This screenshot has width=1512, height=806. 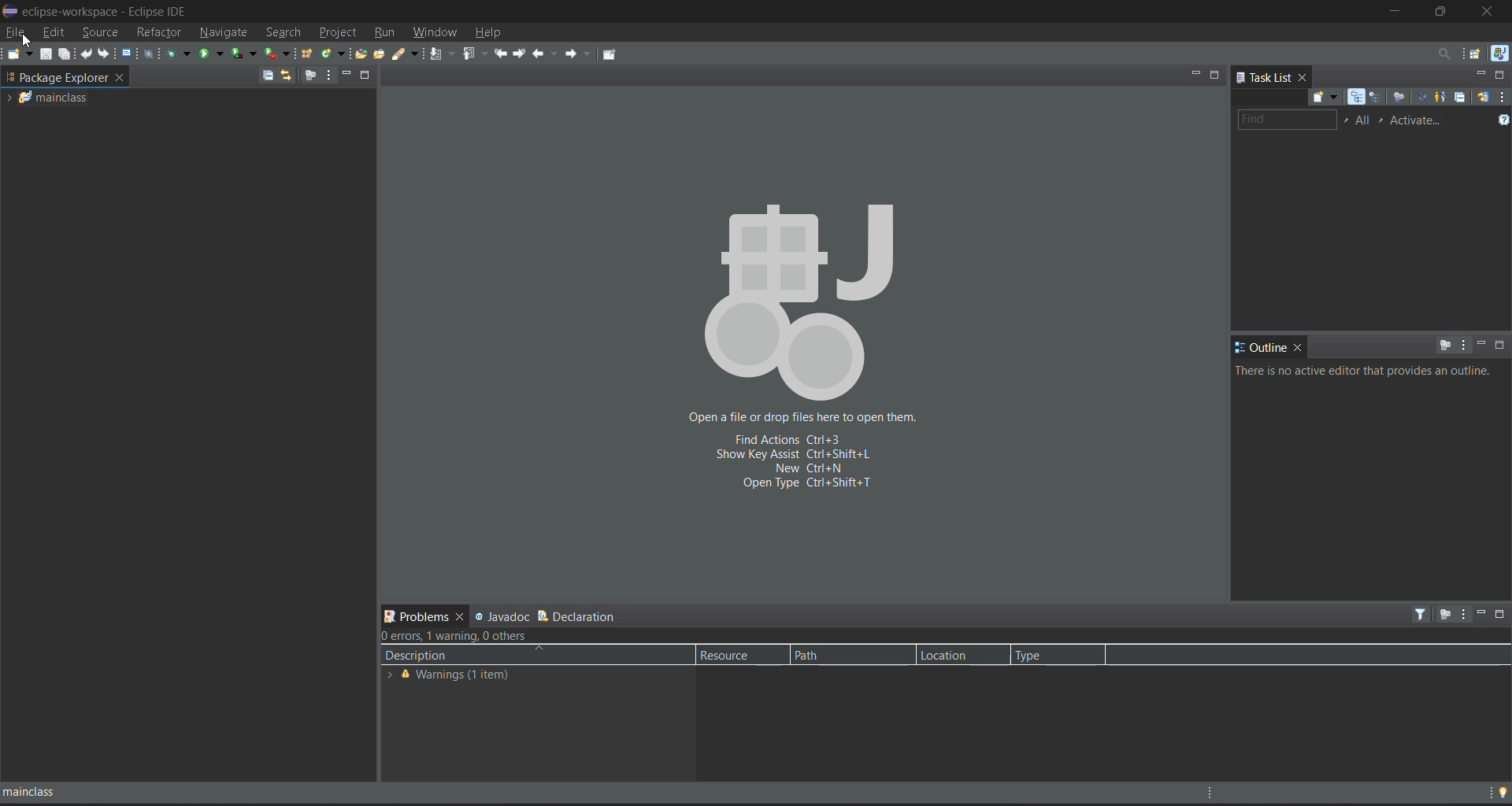 What do you see at coordinates (955, 654) in the screenshot?
I see `location` at bounding box center [955, 654].